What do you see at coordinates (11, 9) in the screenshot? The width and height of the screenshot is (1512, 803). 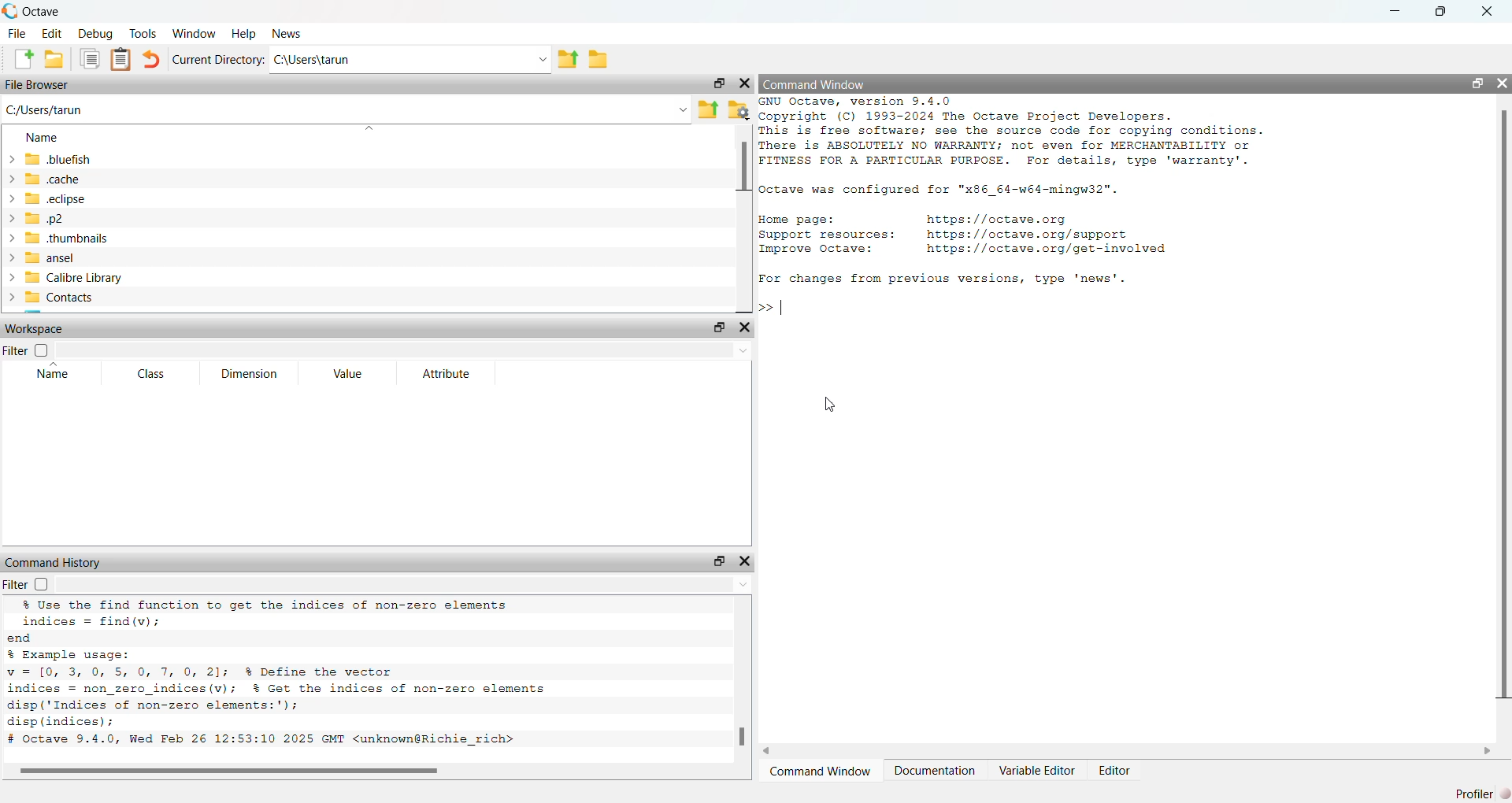 I see `octave logo` at bounding box center [11, 9].